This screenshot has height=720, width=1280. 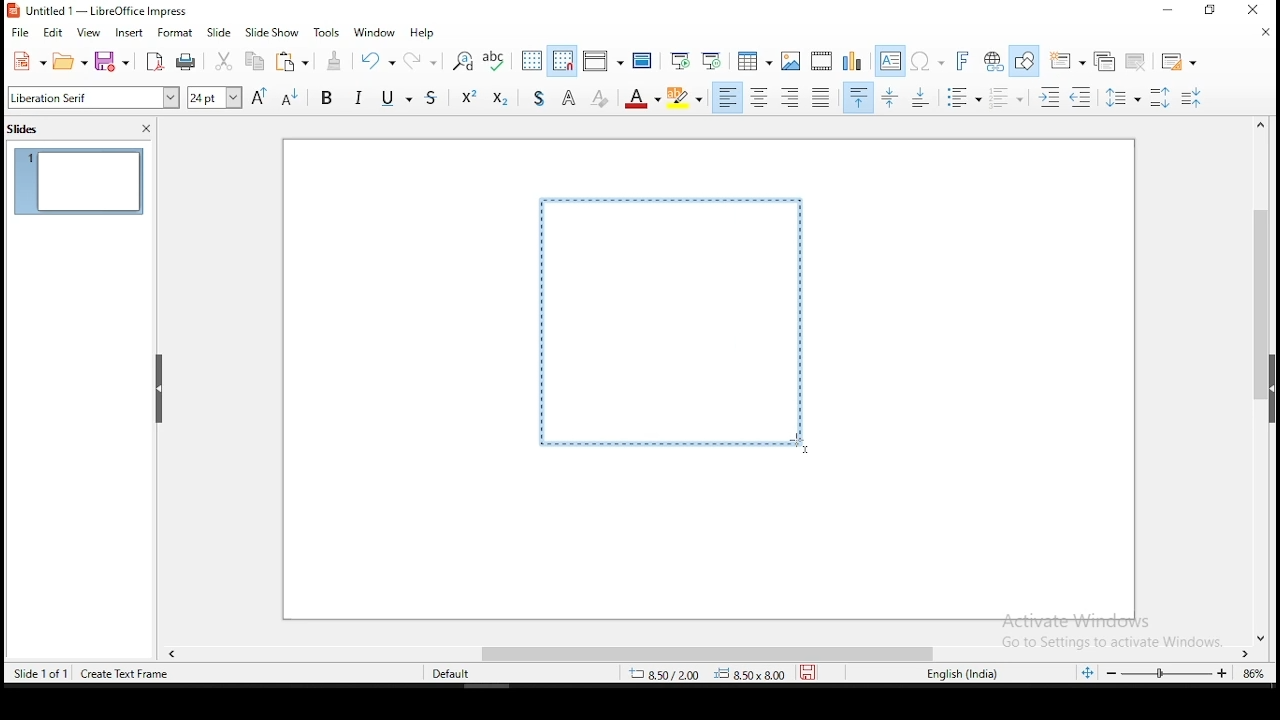 What do you see at coordinates (1167, 673) in the screenshot?
I see `zoom slider` at bounding box center [1167, 673].